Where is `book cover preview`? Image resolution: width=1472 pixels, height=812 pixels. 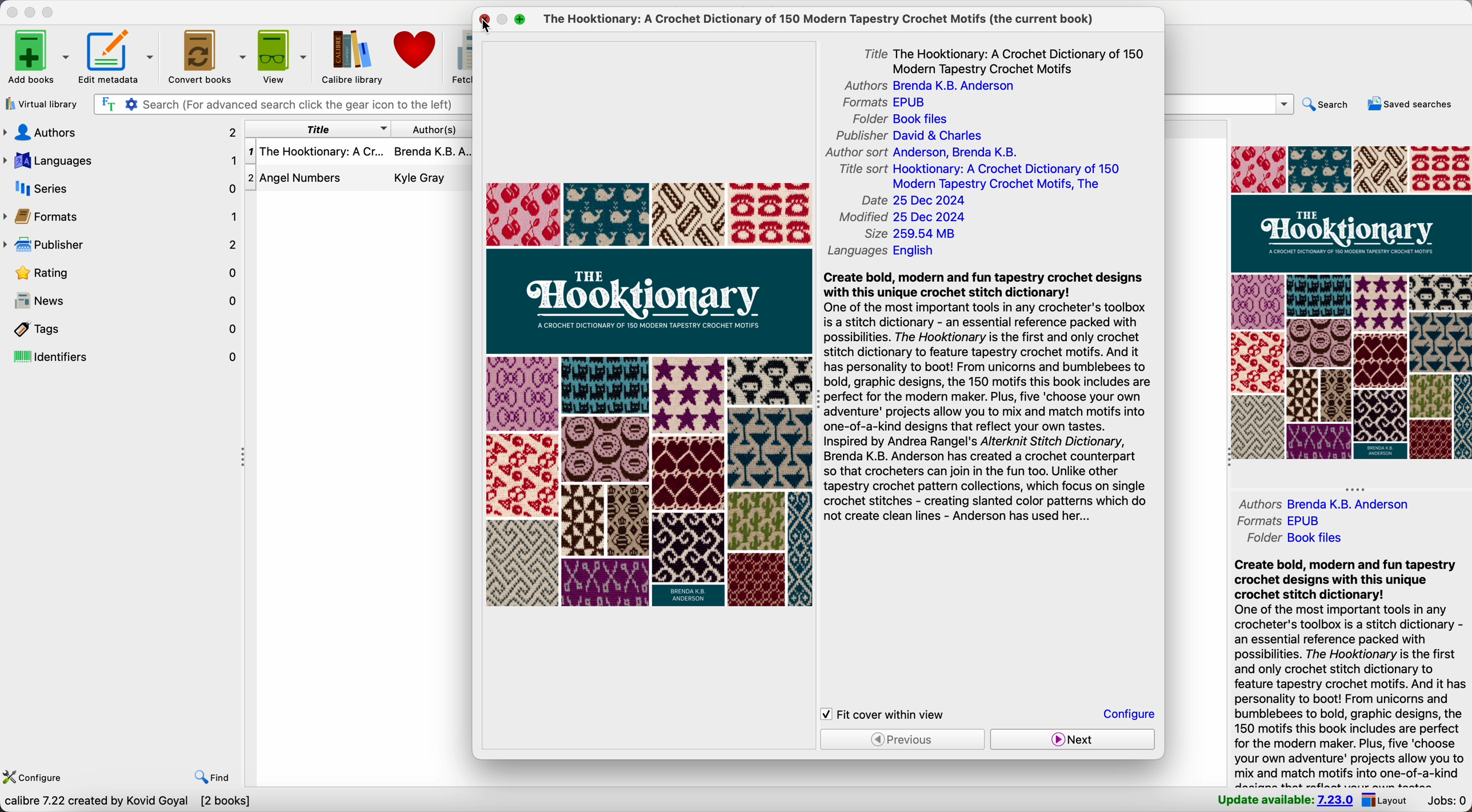
book cover preview is located at coordinates (650, 395).